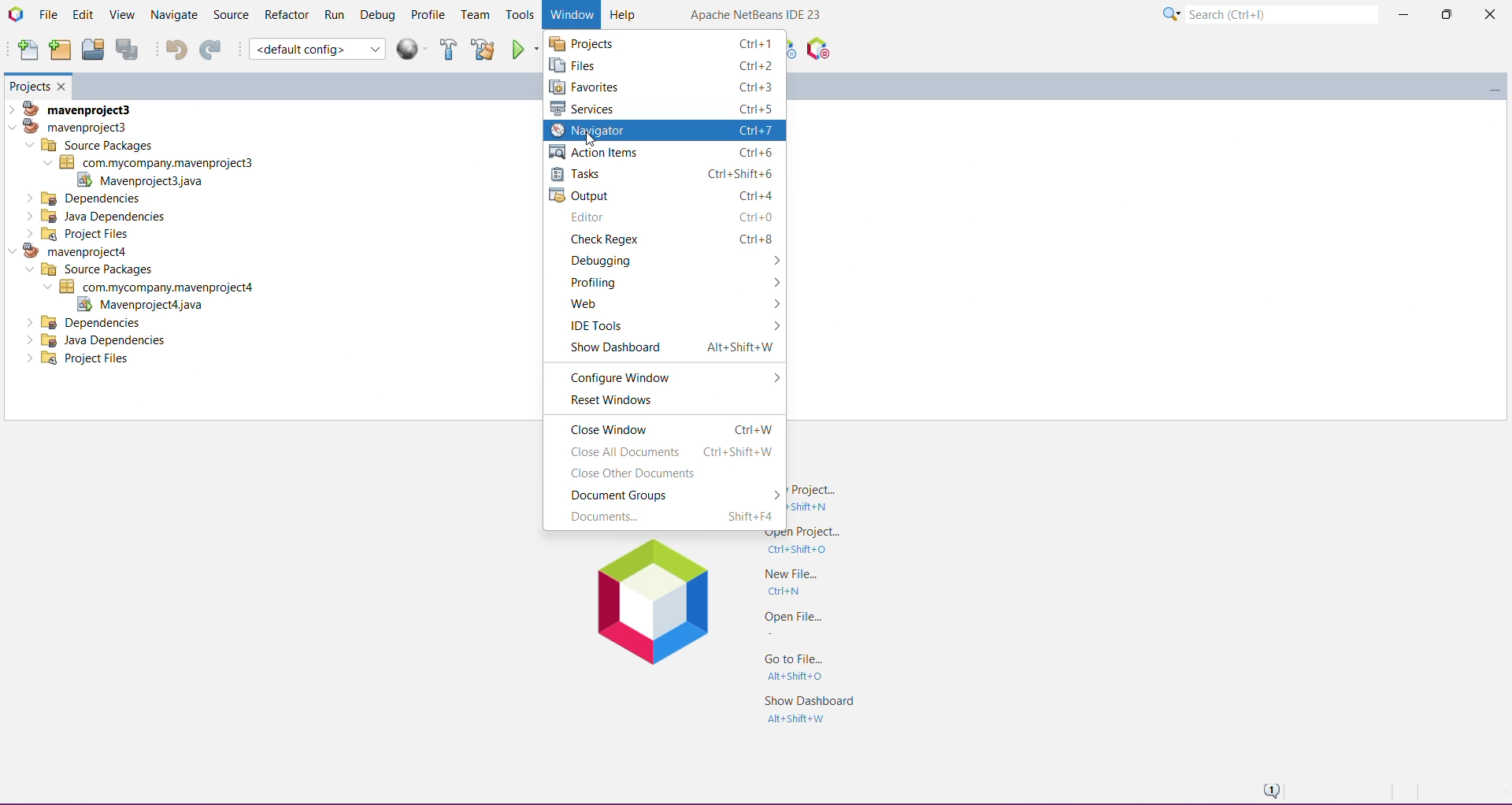 The image size is (1512, 805). I want to click on com.mycompany.mavenproject3, so click(148, 162).